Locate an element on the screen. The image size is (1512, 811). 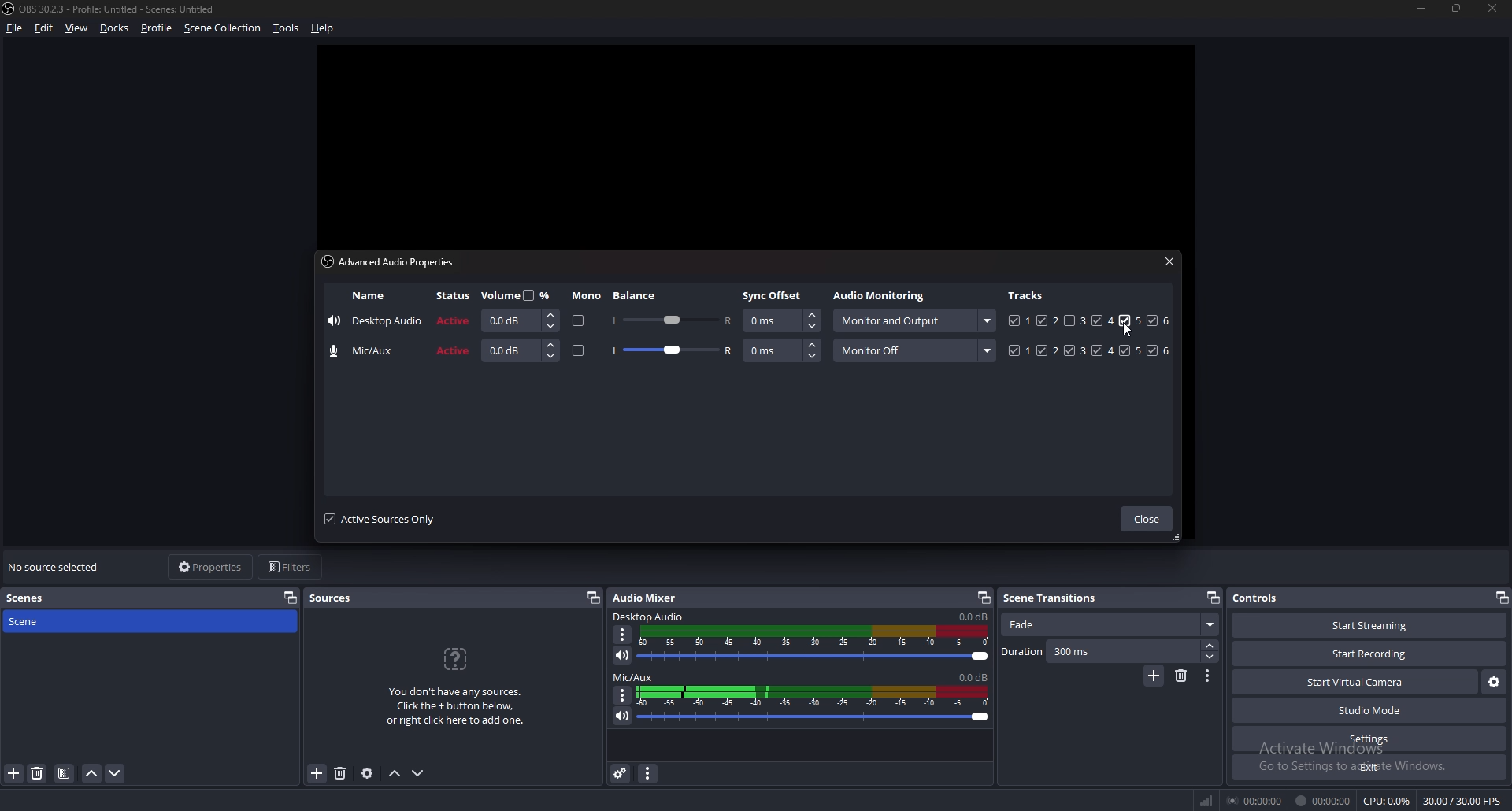
volume is located at coordinates (519, 294).